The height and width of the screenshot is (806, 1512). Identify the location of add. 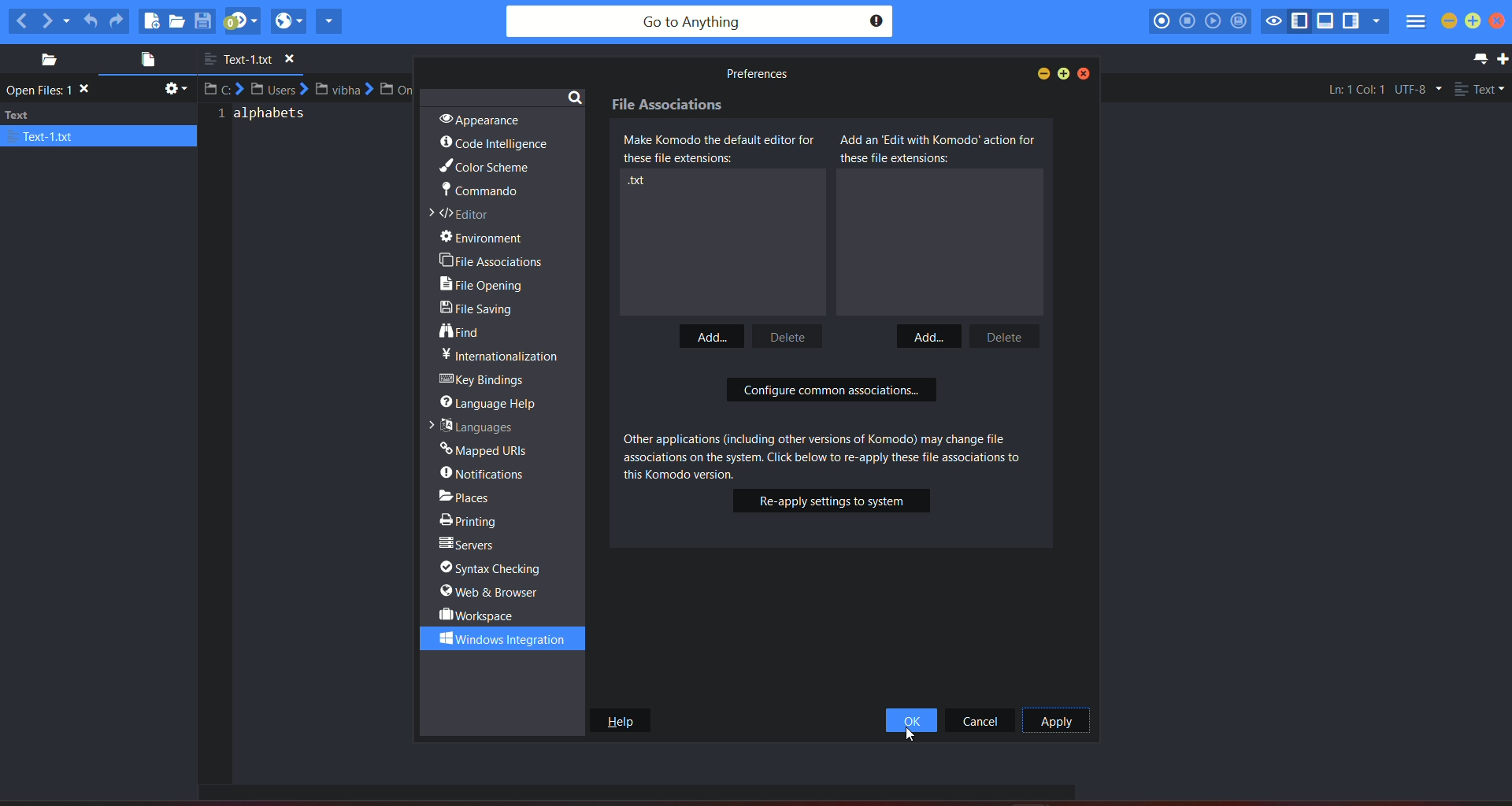
(713, 333).